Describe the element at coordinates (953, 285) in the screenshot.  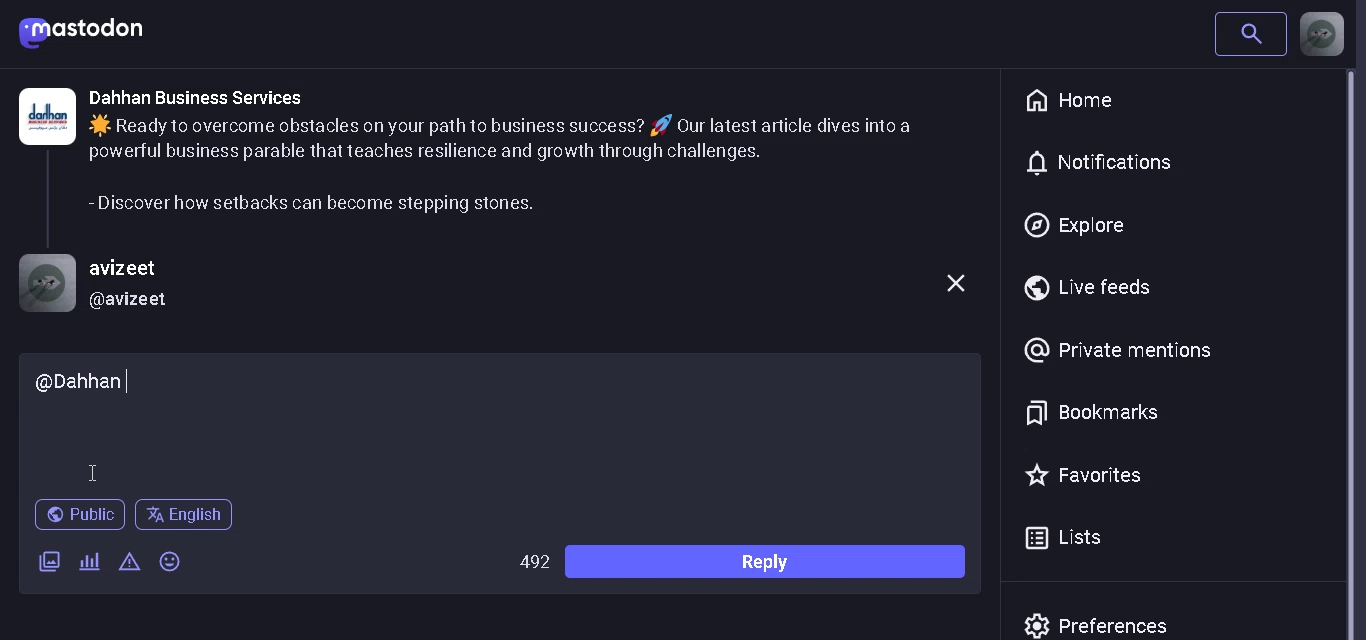
I see `close comment box` at that location.